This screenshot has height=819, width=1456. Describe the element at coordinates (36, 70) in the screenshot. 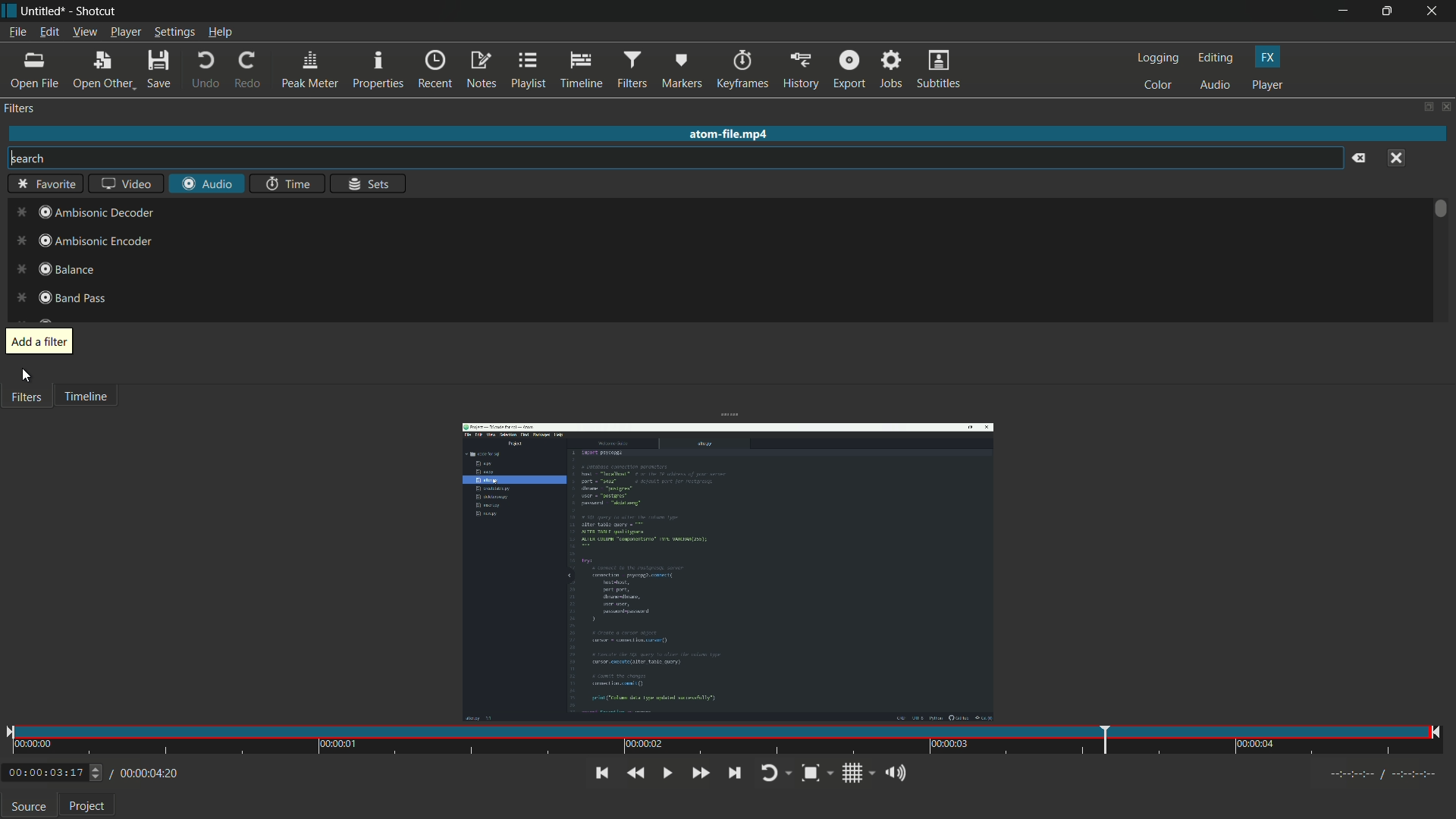

I see `open file` at that location.